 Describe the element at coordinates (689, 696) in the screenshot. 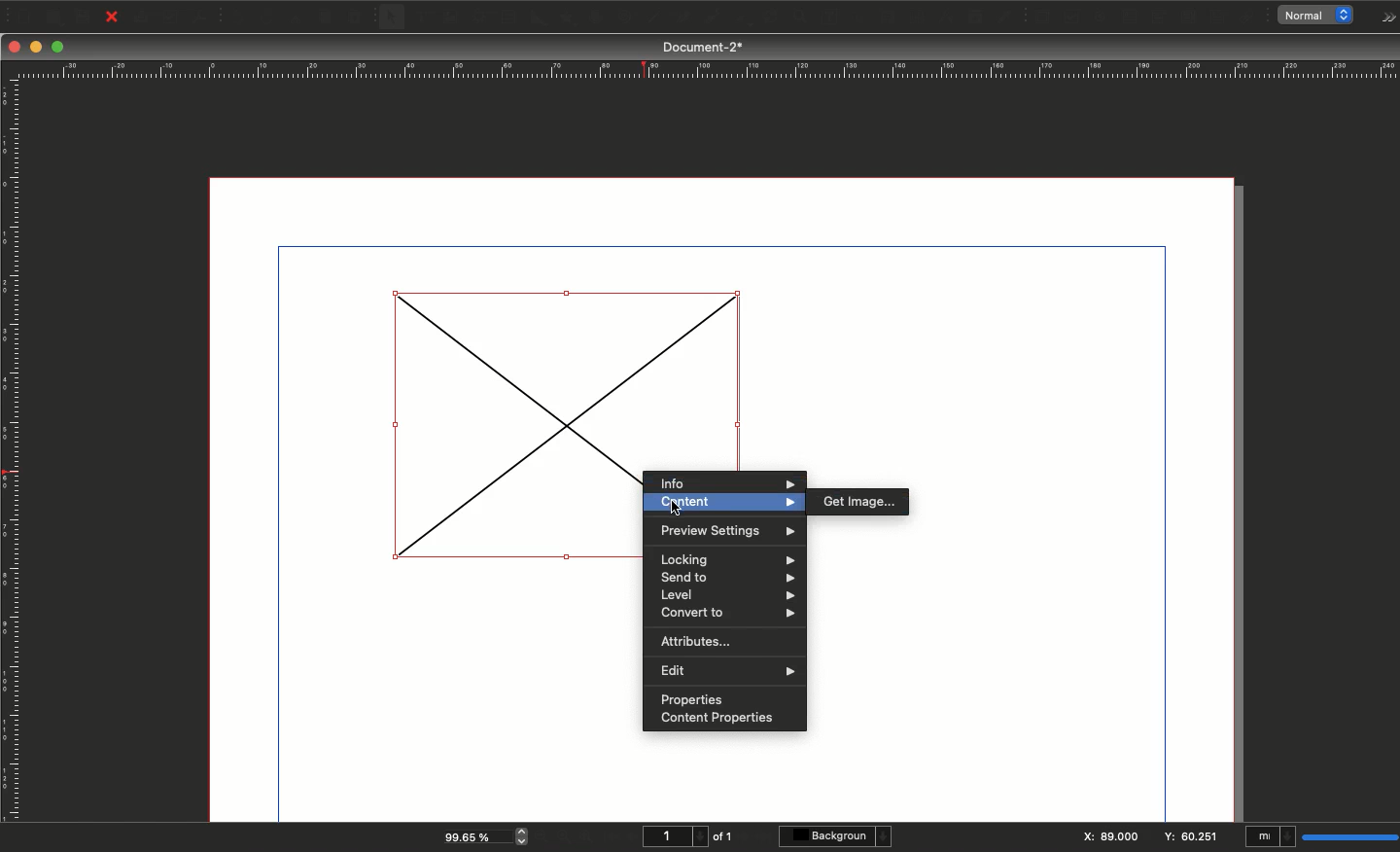

I see `Properties` at that location.